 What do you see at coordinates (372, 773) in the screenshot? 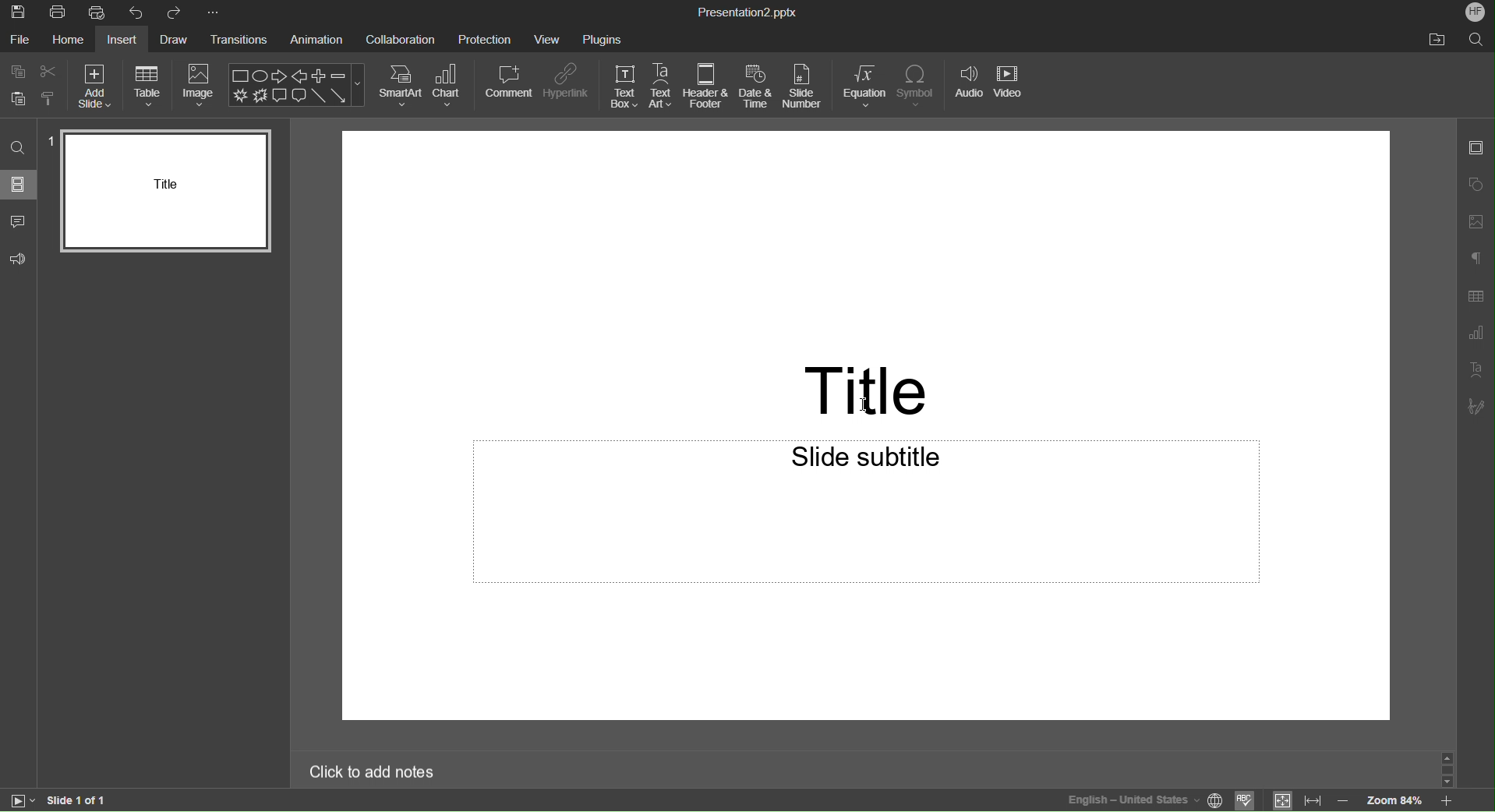
I see `Click to add notes` at bounding box center [372, 773].